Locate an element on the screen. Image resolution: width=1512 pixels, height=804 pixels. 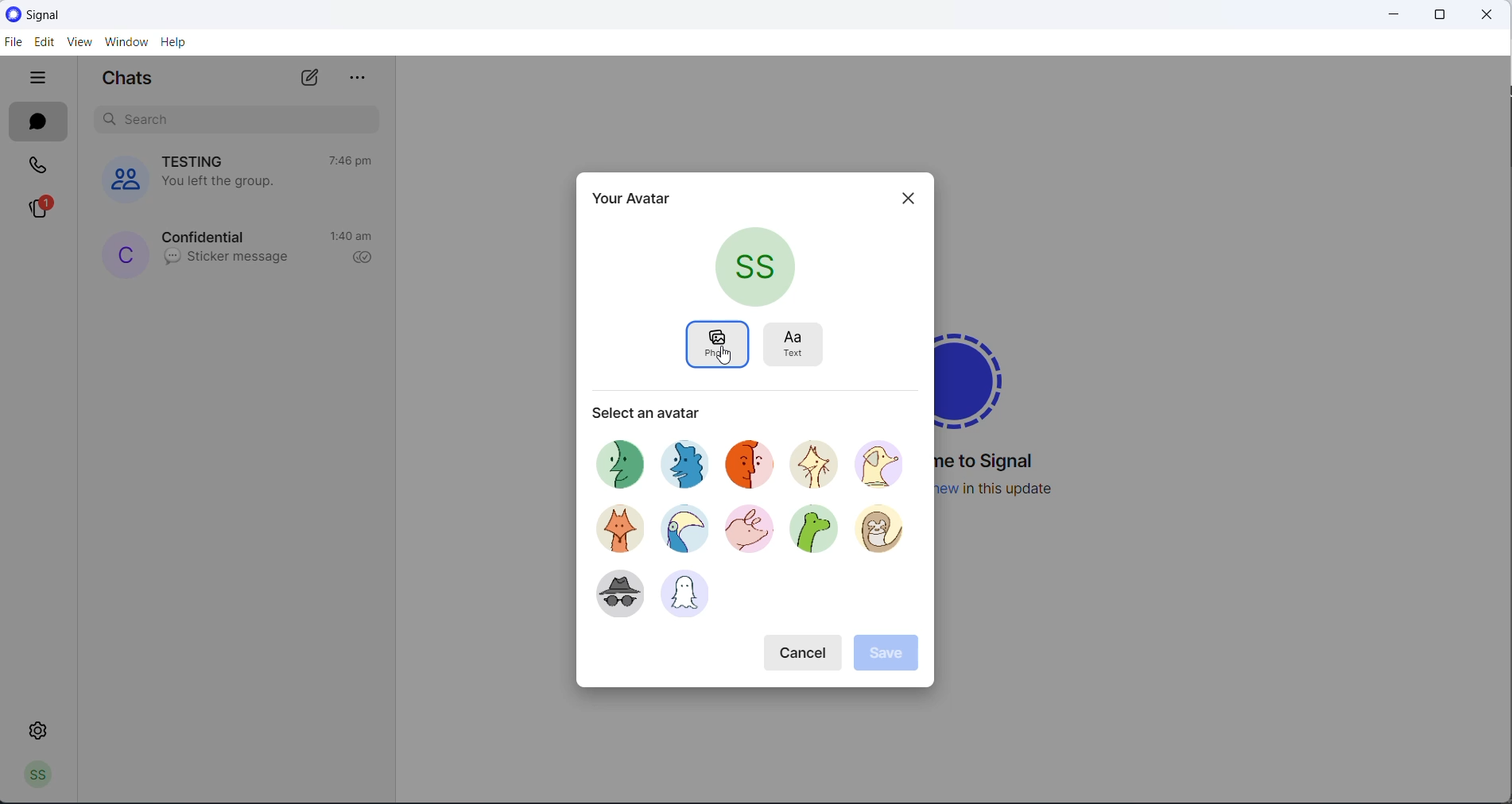
last active time is located at coordinates (354, 238).